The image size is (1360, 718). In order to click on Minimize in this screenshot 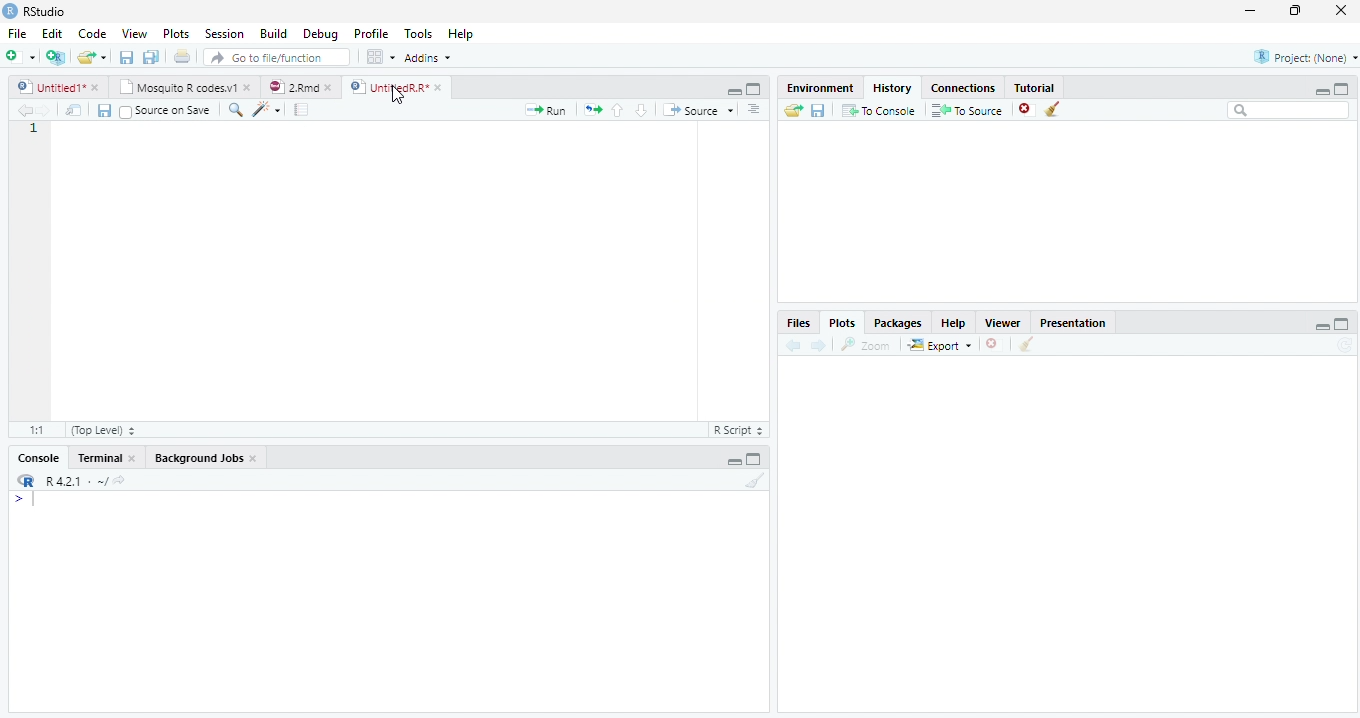, I will do `click(1251, 10)`.